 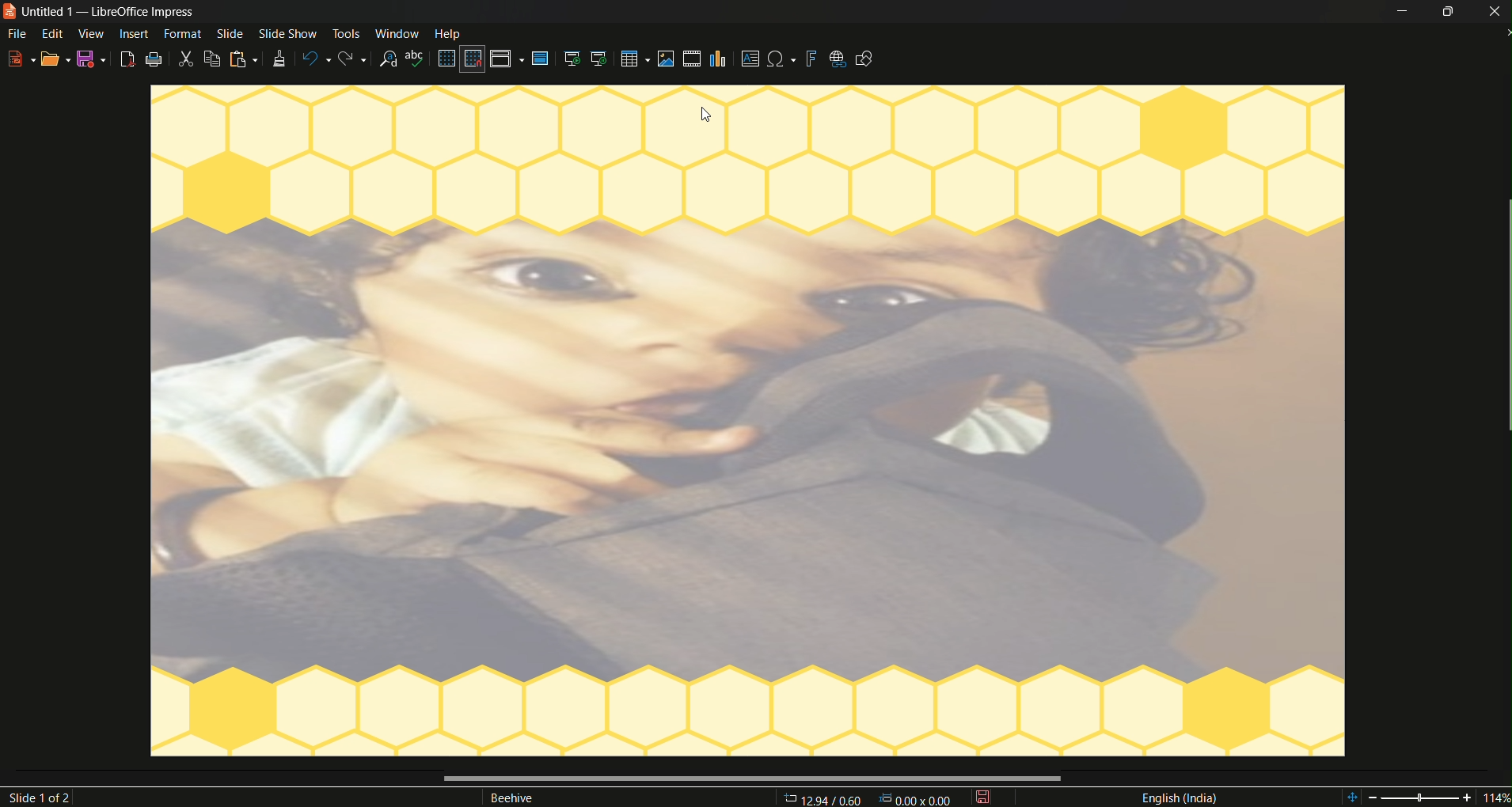 I want to click on insert hyperlink, so click(x=838, y=59).